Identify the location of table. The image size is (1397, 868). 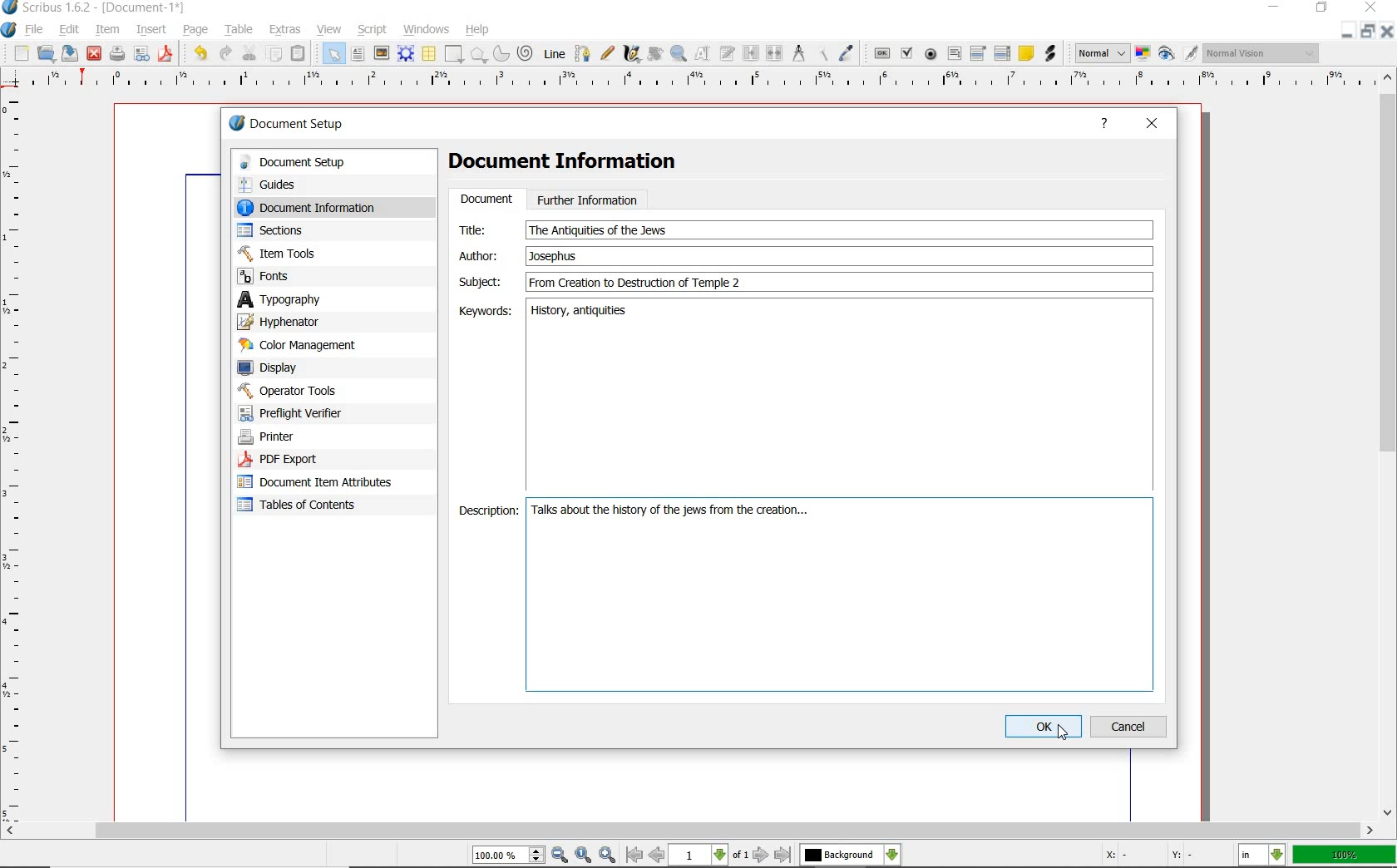
(239, 29).